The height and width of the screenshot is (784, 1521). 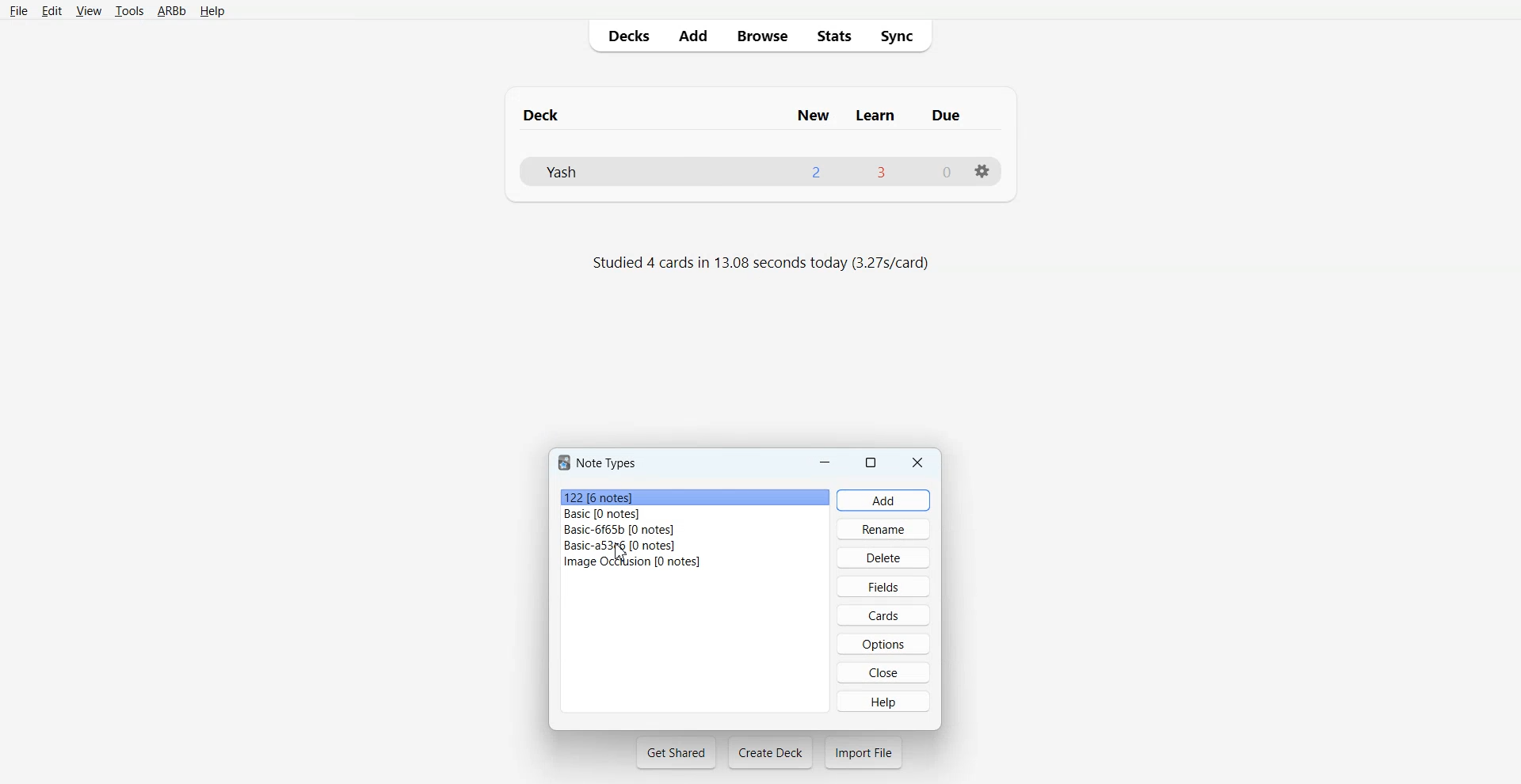 I want to click on Settings, so click(x=982, y=171).